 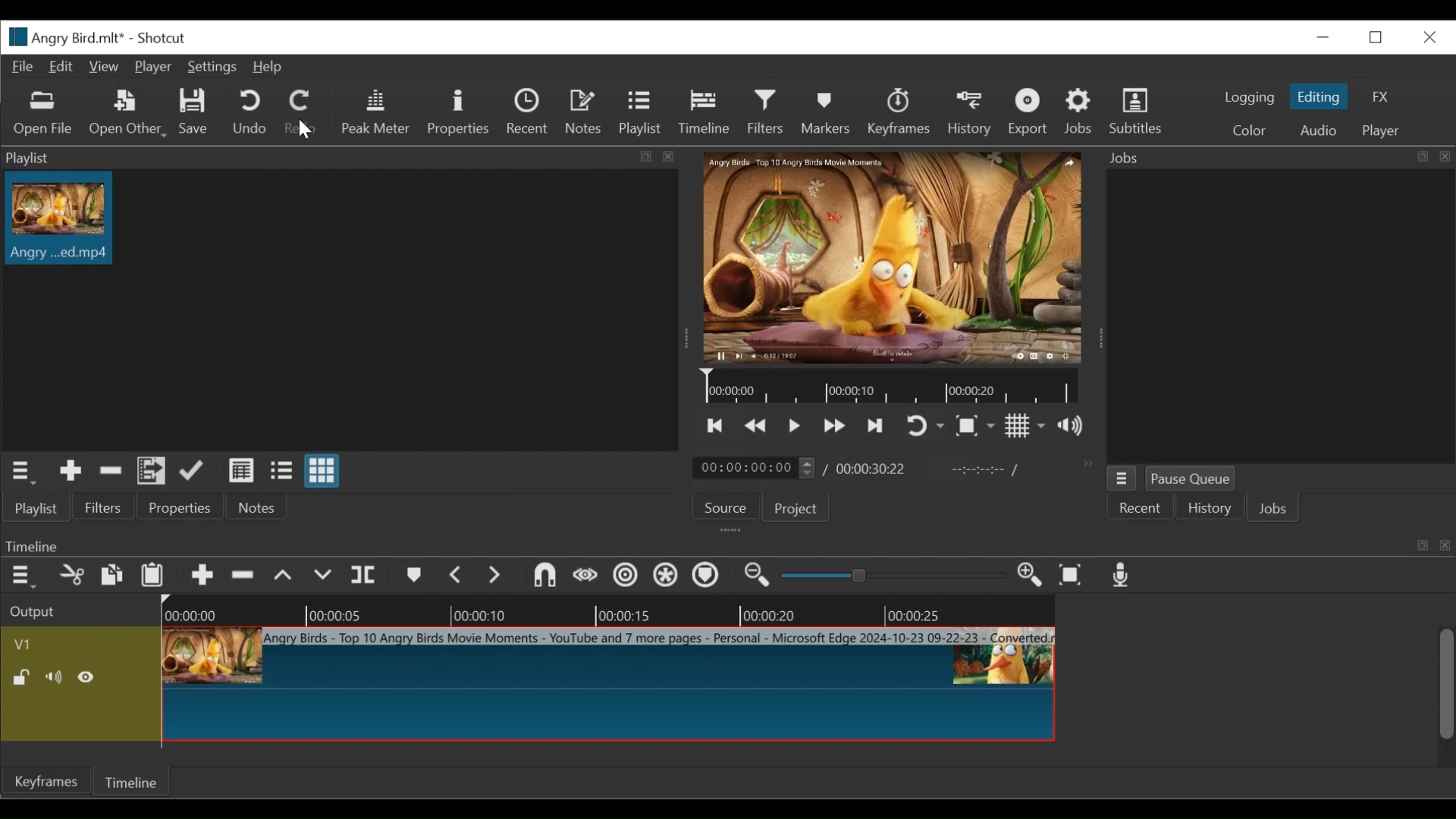 What do you see at coordinates (45, 114) in the screenshot?
I see `Open Files` at bounding box center [45, 114].